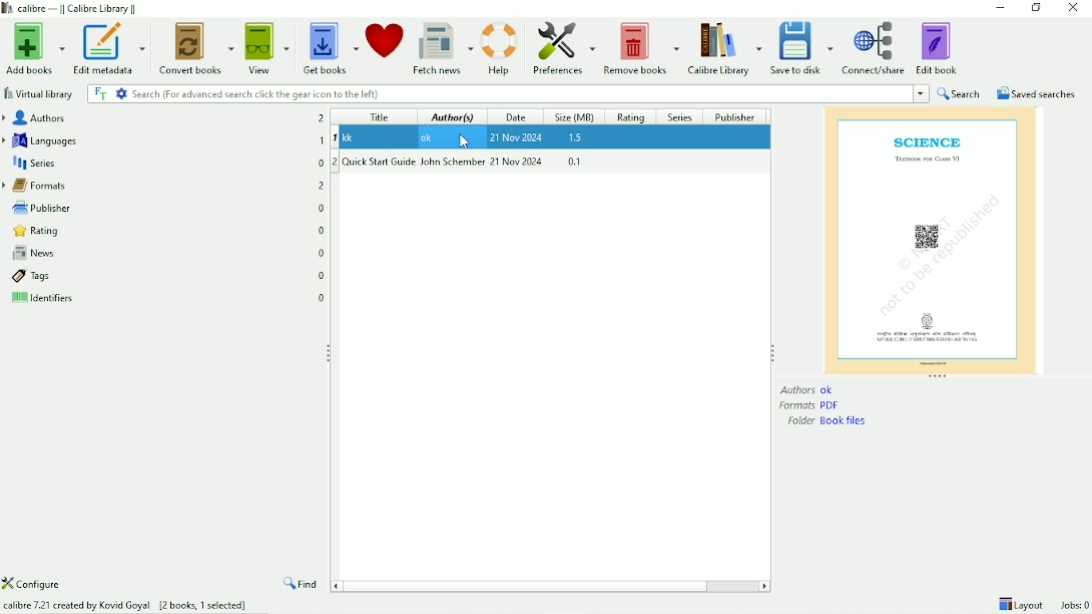  Describe the element at coordinates (873, 49) in the screenshot. I see `Connect/share` at that location.